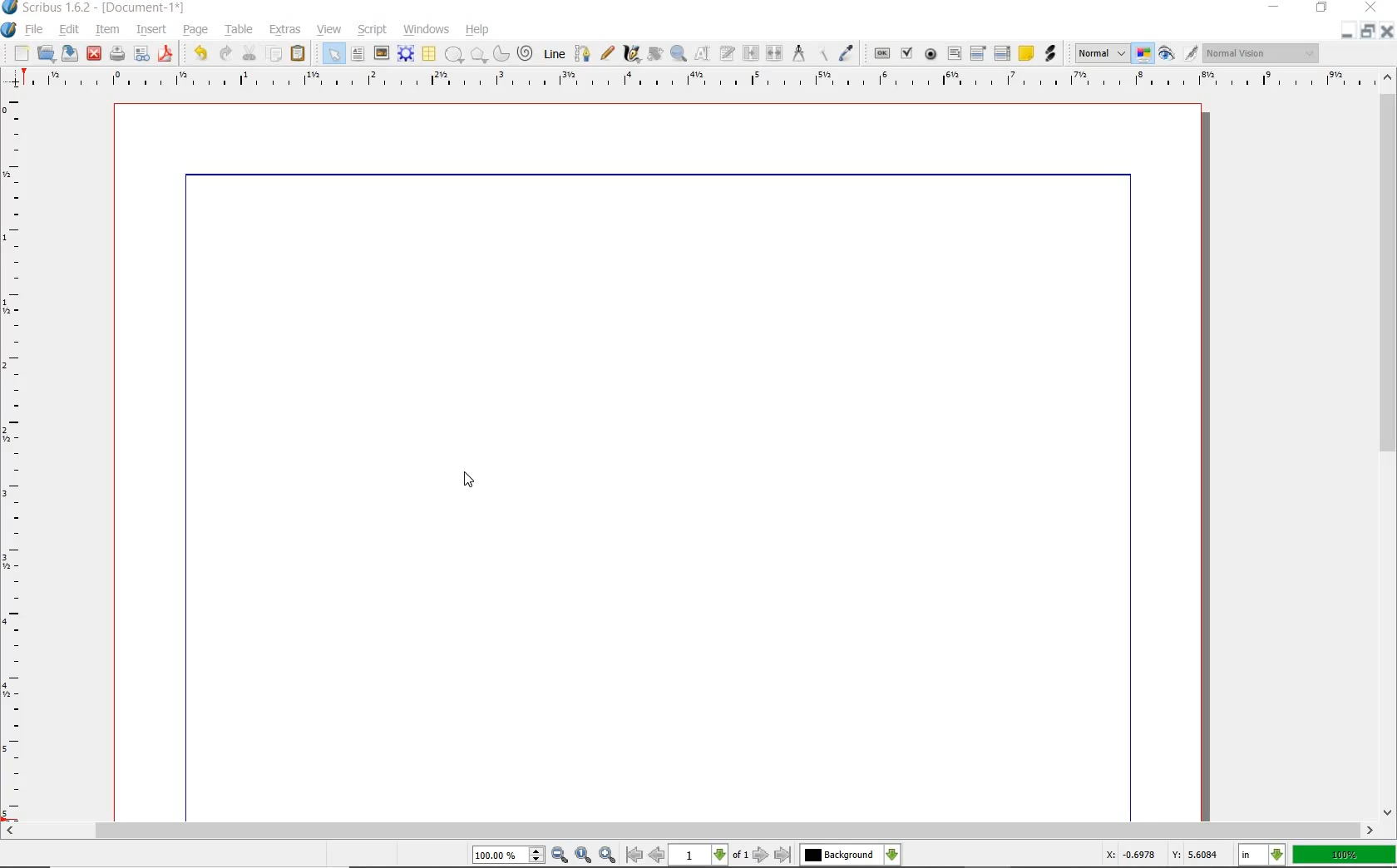 Image resolution: width=1397 pixels, height=868 pixels. Describe the element at coordinates (333, 55) in the screenshot. I see `SELECT` at that location.